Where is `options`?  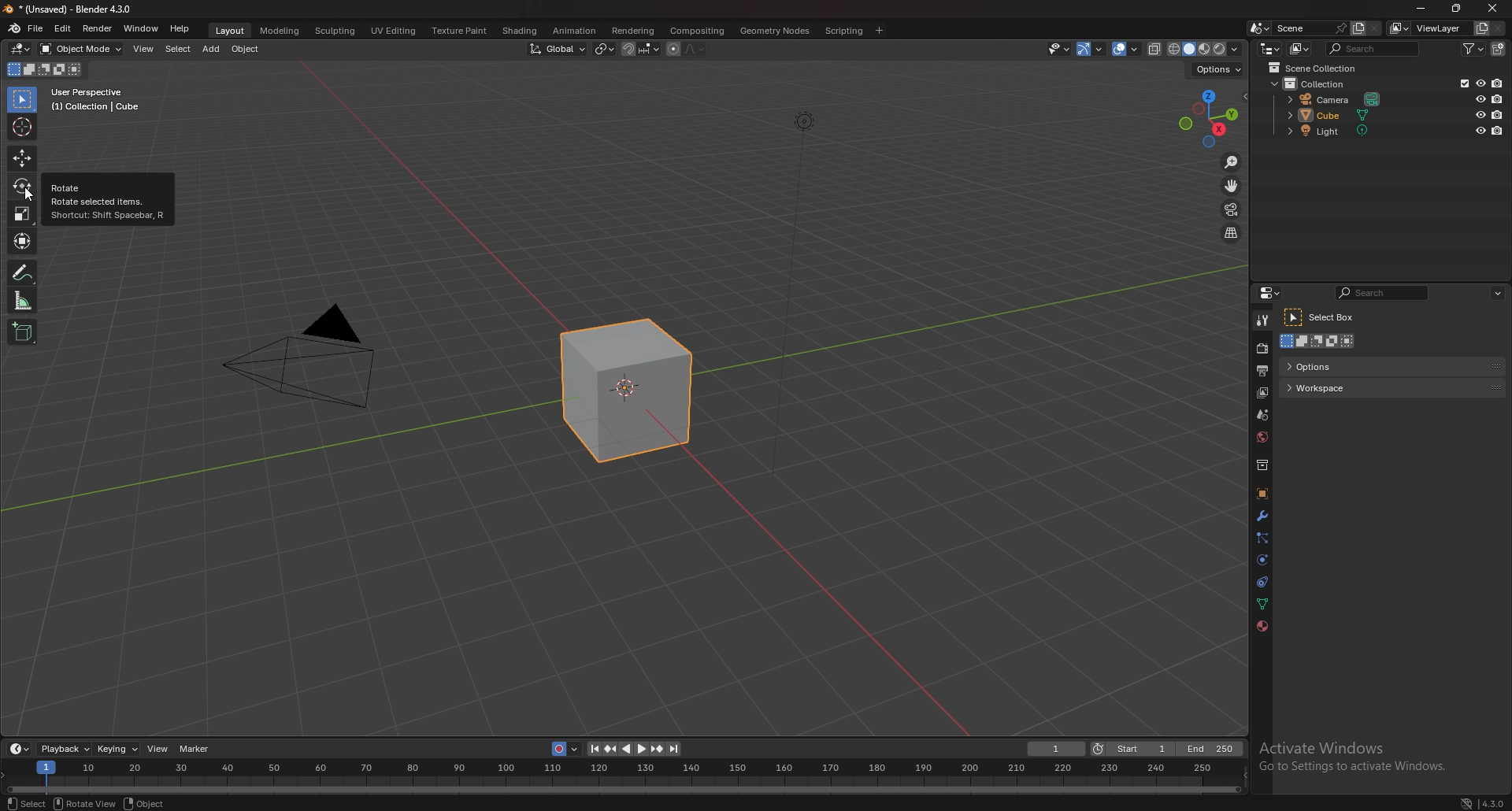
options is located at coordinates (1392, 366).